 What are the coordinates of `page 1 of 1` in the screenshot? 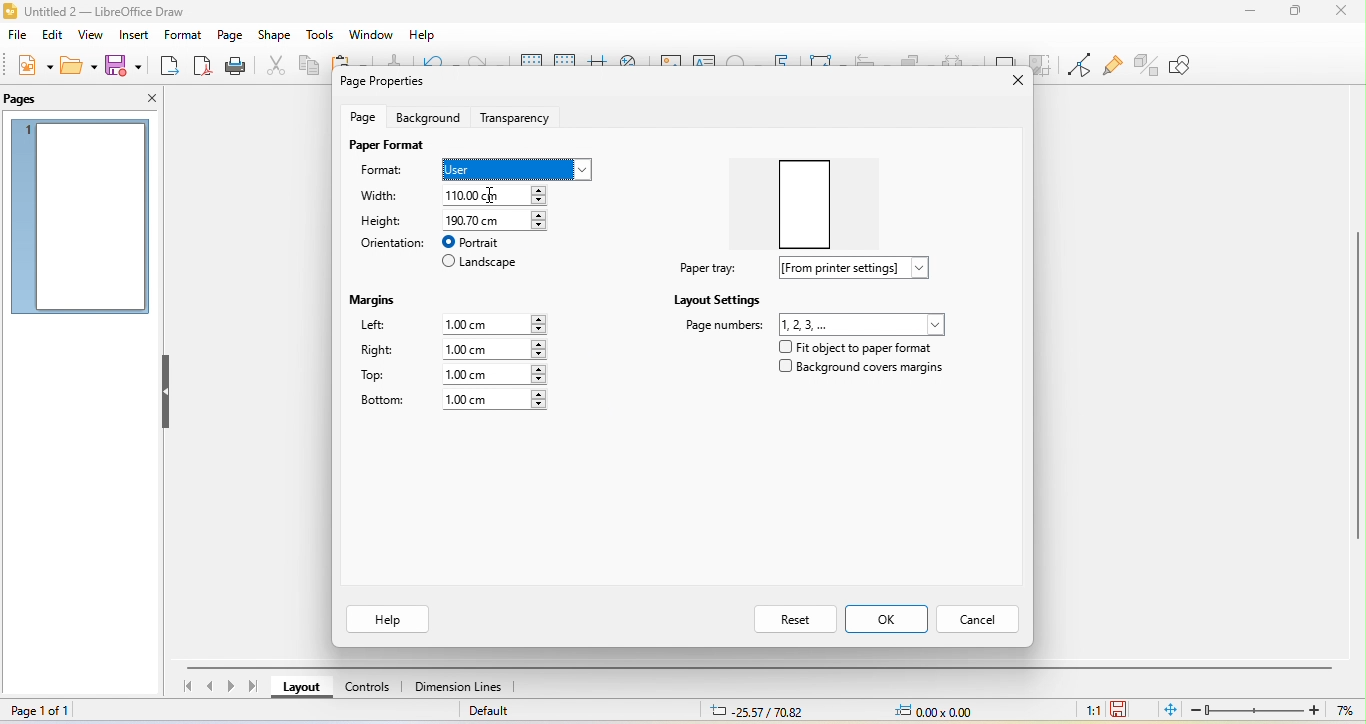 It's located at (50, 711).